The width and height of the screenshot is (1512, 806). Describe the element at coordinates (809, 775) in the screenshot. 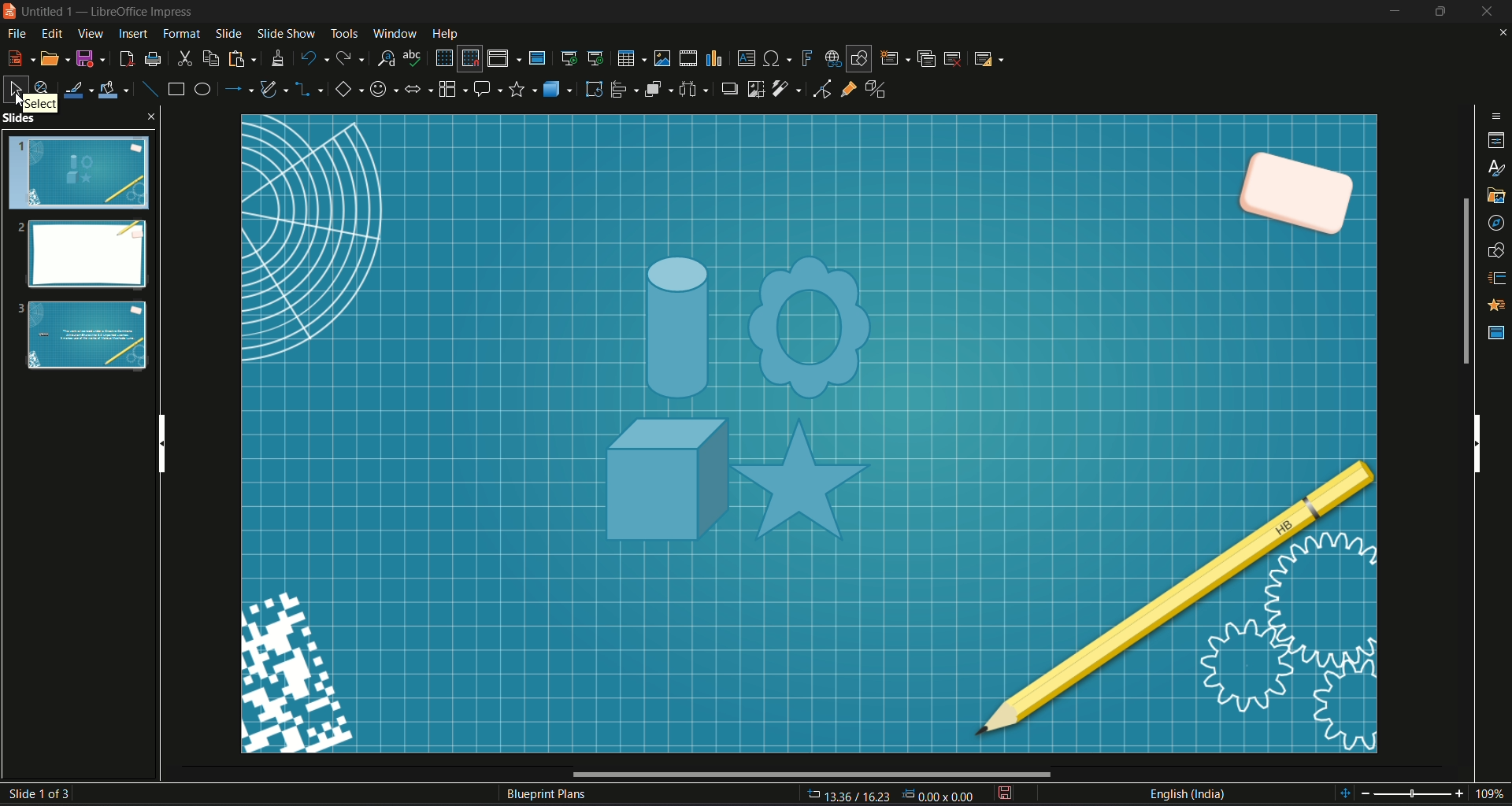

I see `Horizontal Scroll` at that location.